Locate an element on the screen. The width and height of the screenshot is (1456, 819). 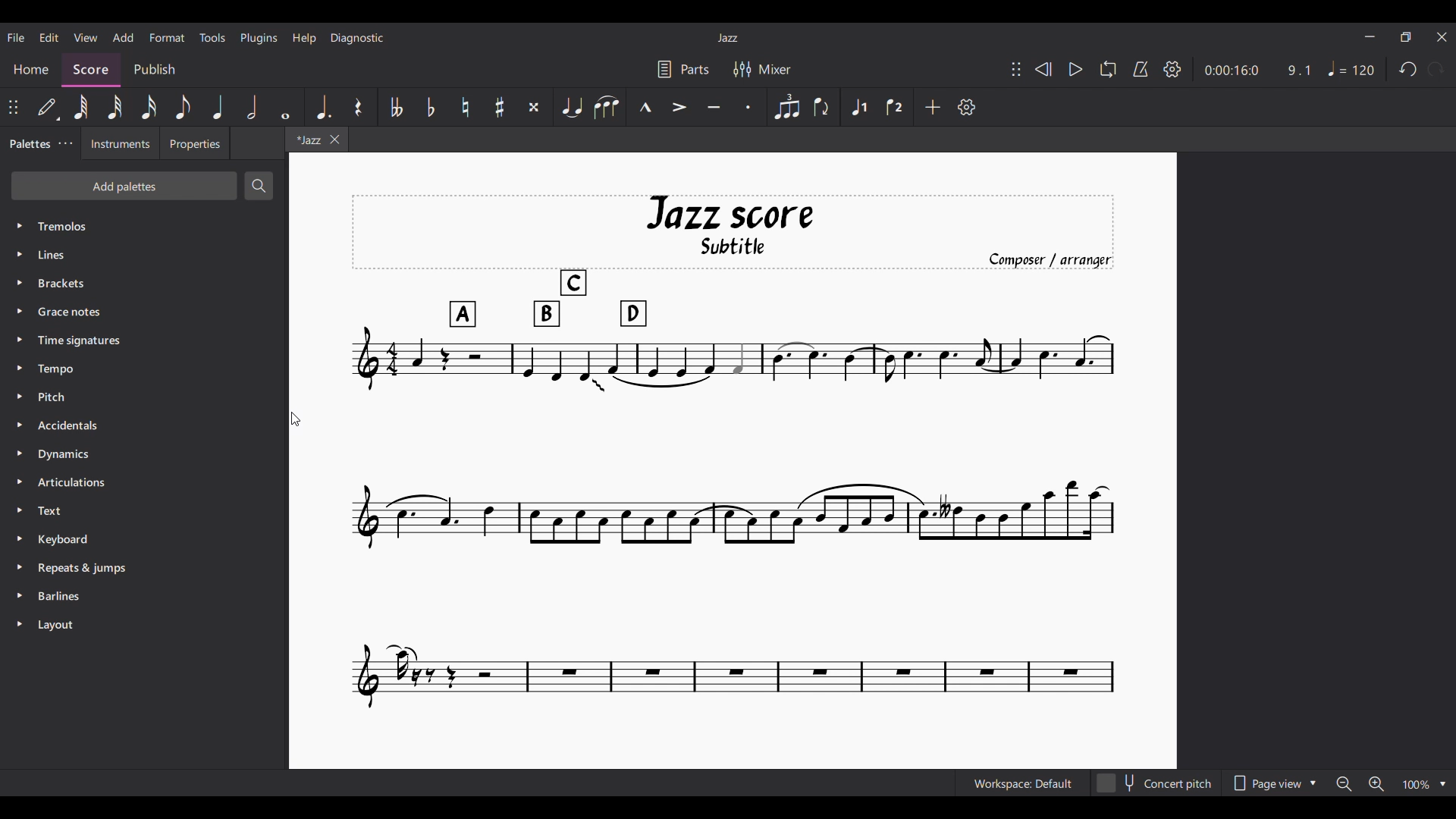
Staccato is located at coordinates (748, 107).